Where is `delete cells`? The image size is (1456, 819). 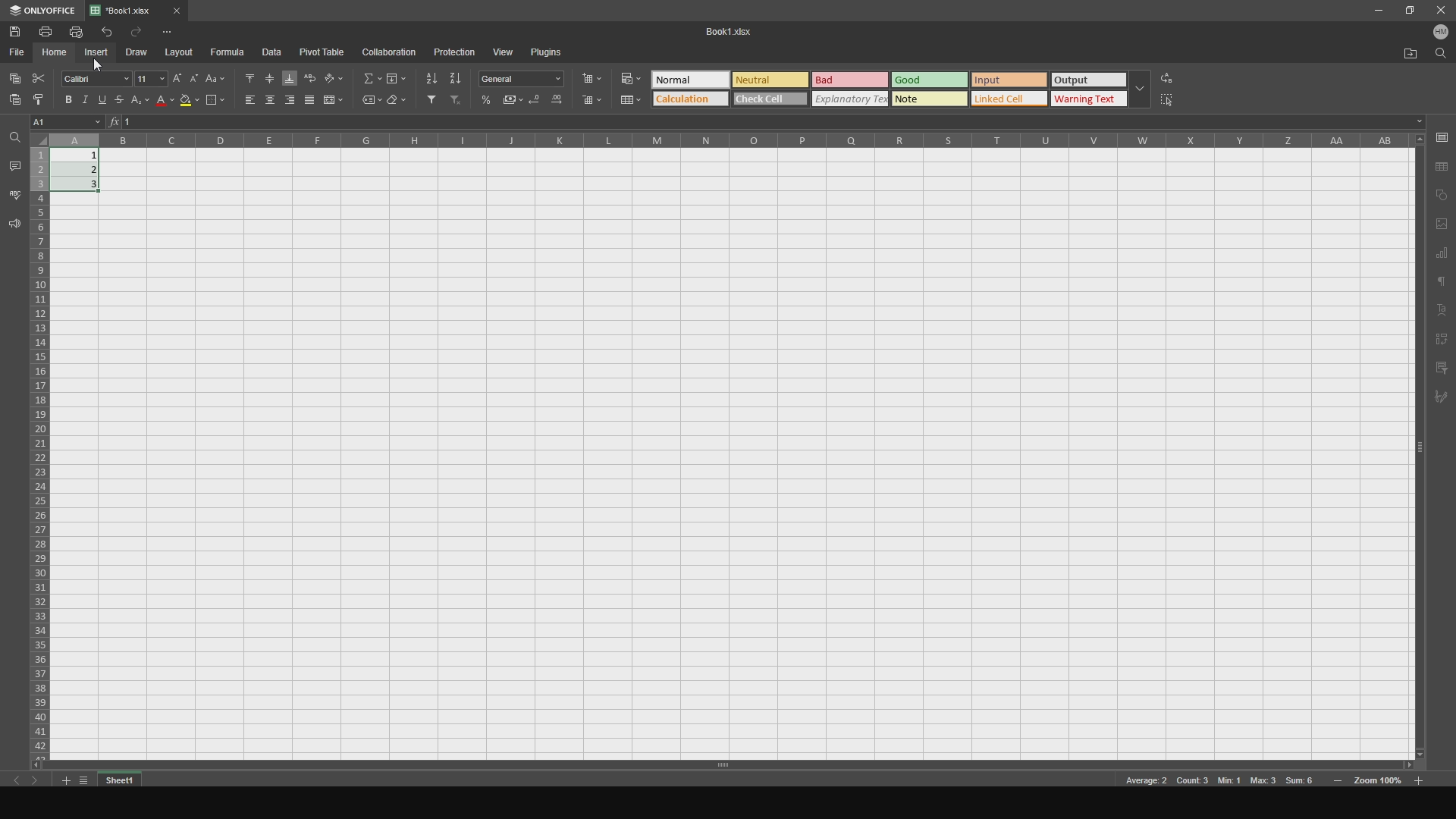 delete cells is located at coordinates (592, 101).